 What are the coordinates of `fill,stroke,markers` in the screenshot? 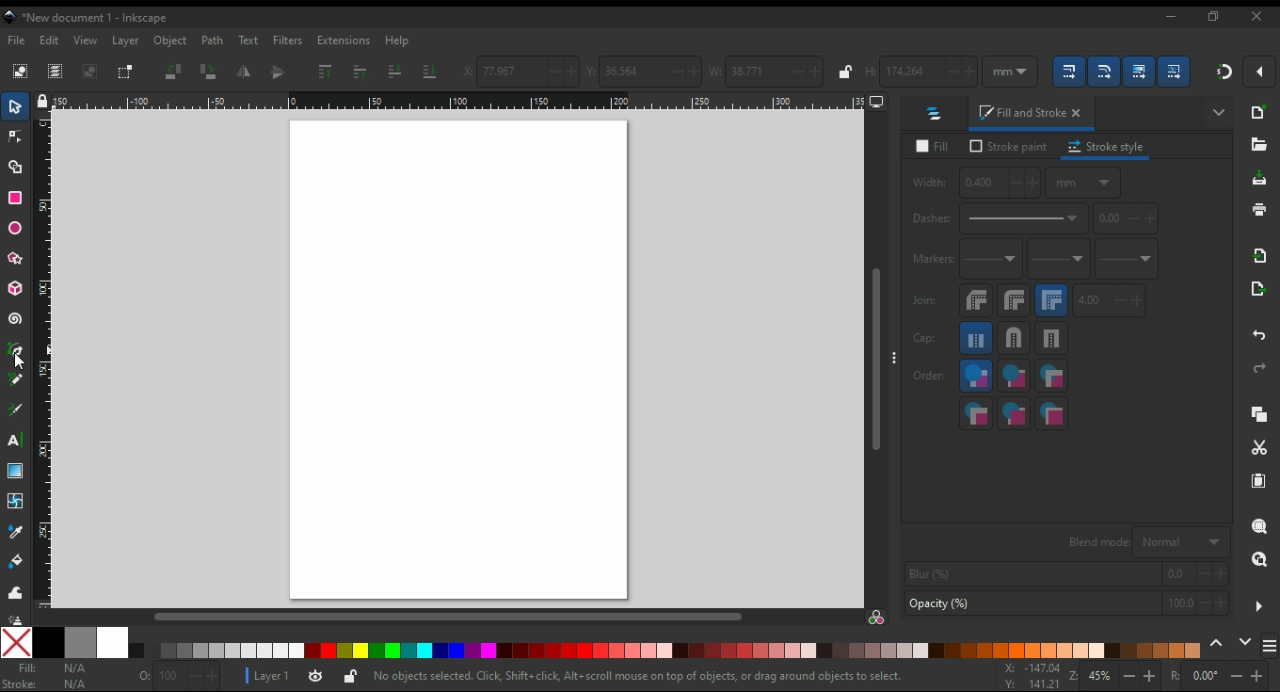 It's located at (975, 376).